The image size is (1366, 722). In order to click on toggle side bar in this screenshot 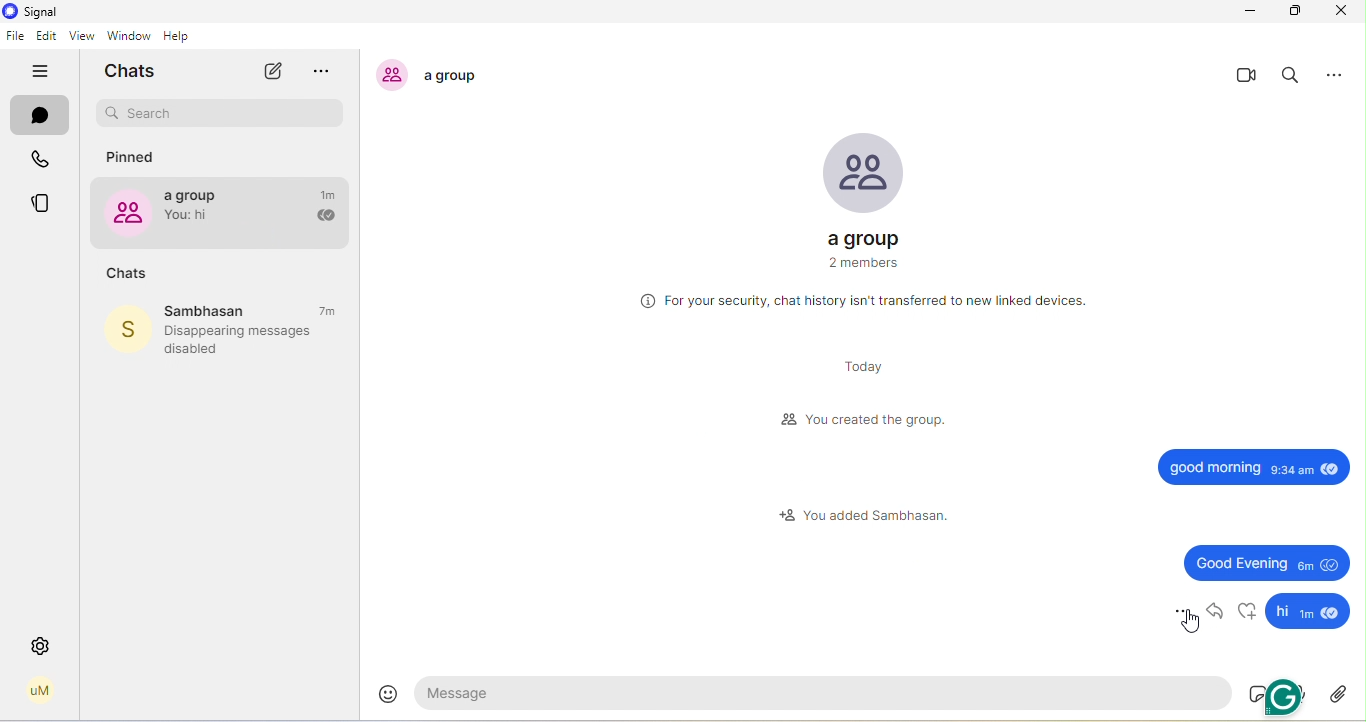, I will do `click(44, 72)`.